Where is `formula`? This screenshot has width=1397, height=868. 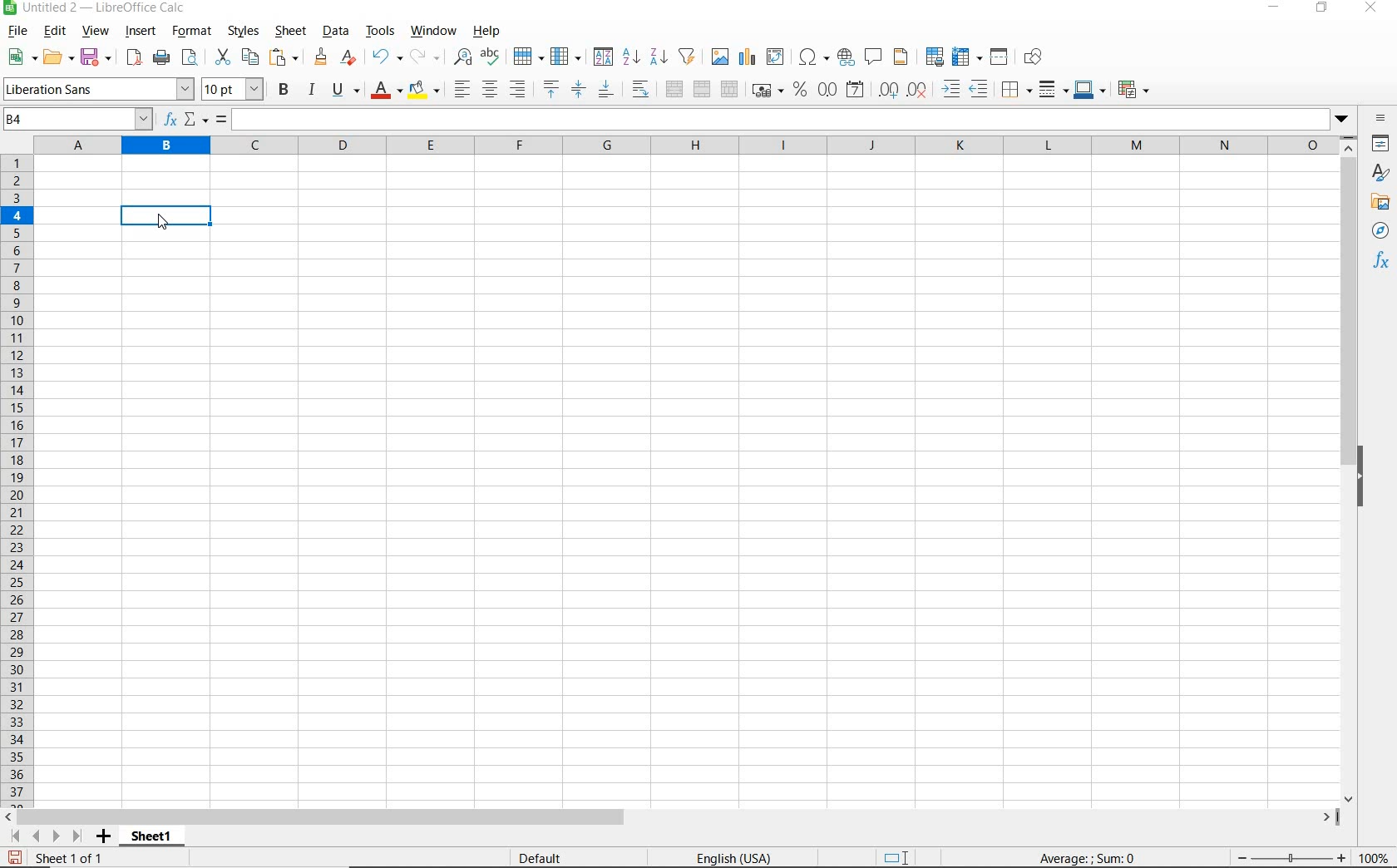 formula is located at coordinates (1088, 857).